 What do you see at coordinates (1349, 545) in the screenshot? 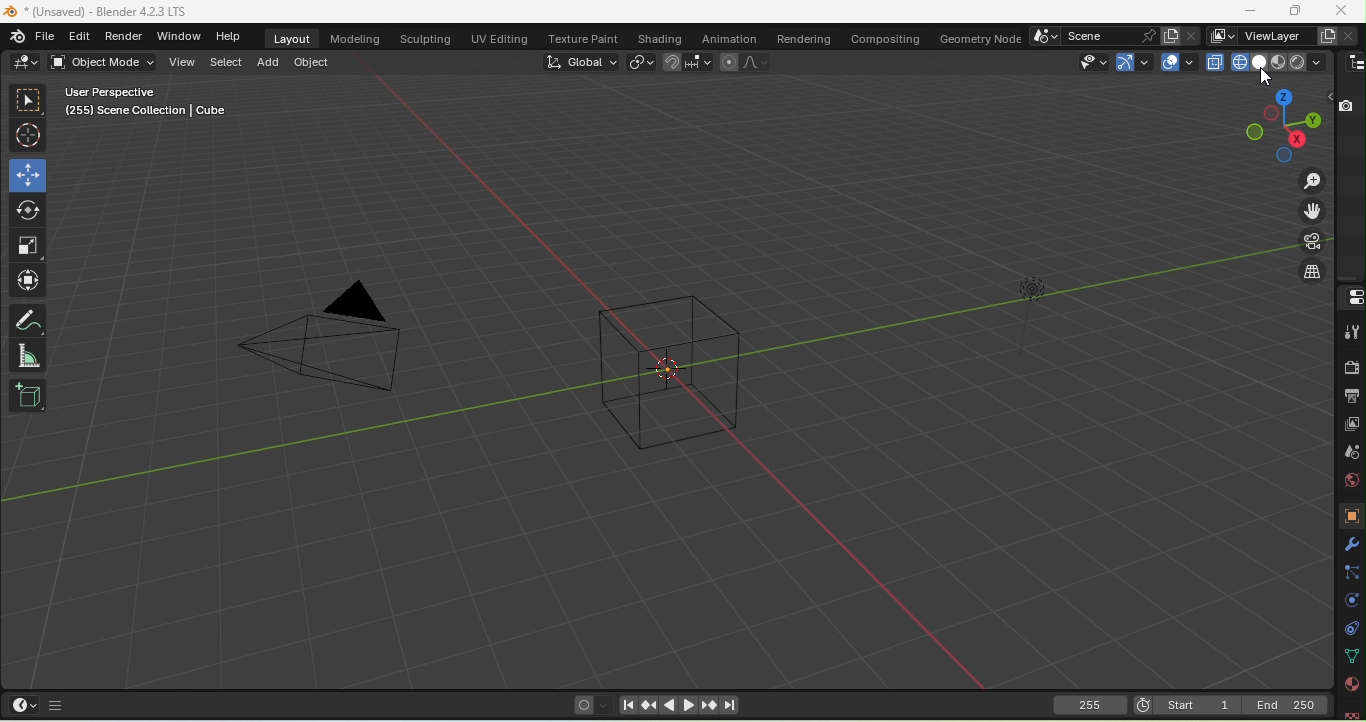
I see `Modifiers` at bounding box center [1349, 545].